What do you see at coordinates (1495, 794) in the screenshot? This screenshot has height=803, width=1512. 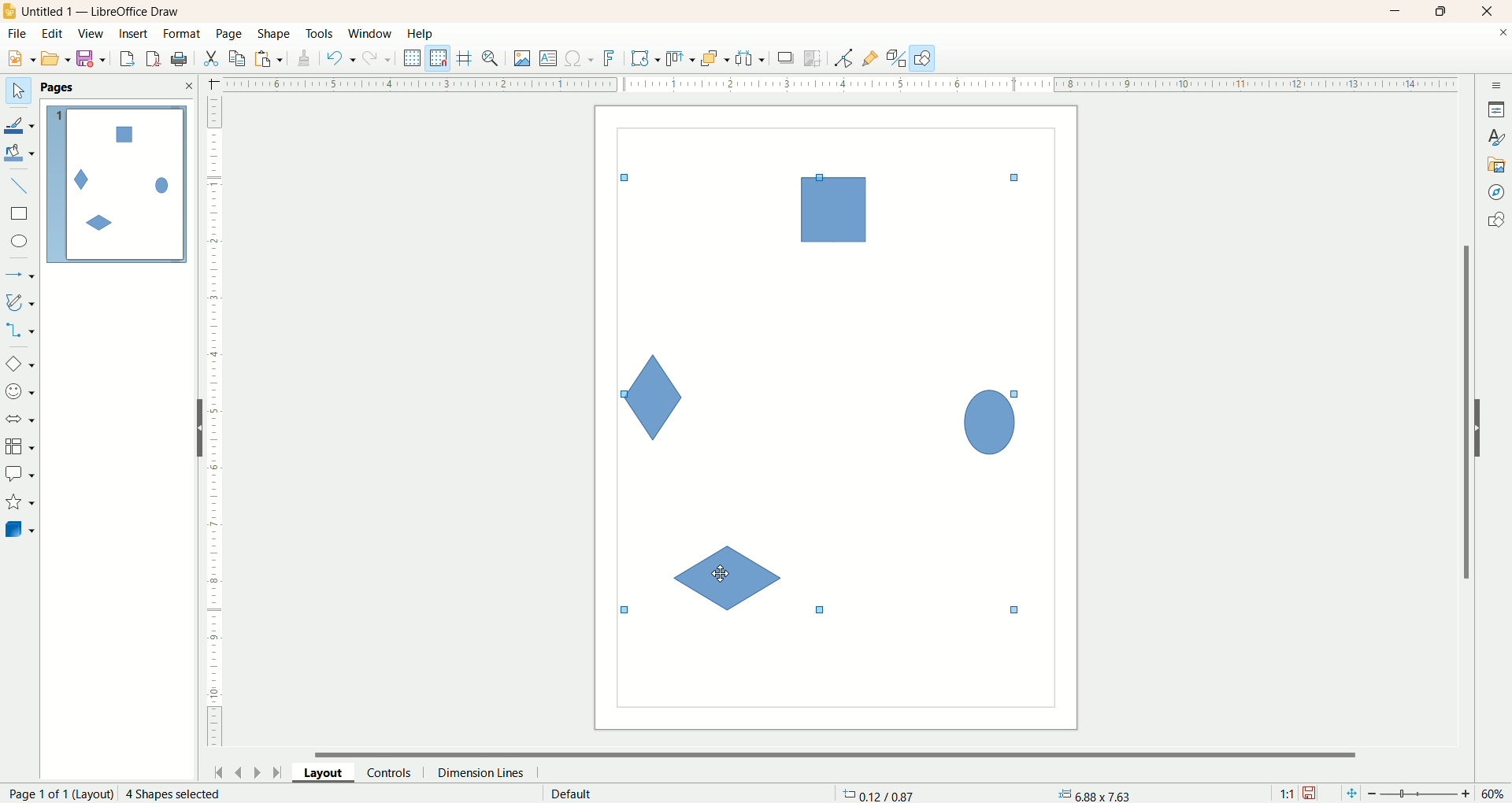 I see `zoom percent` at bounding box center [1495, 794].